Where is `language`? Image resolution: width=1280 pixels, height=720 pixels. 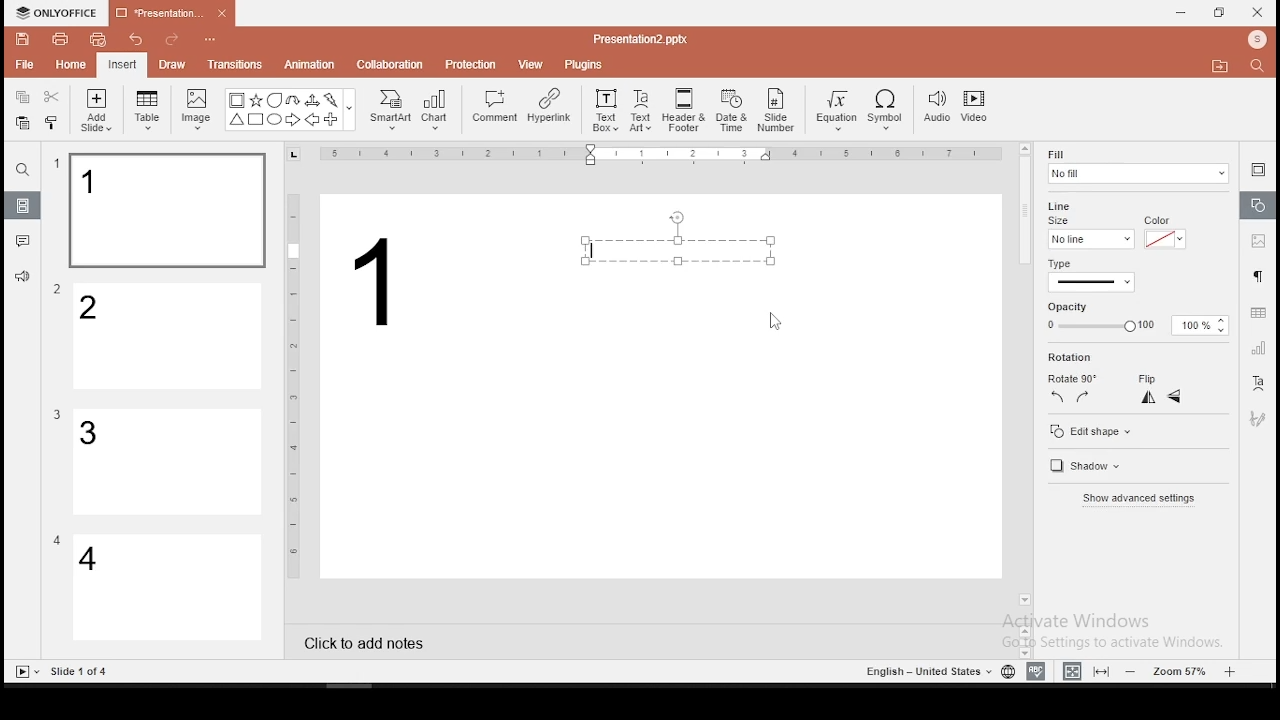
language is located at coordinates (1007, 672).